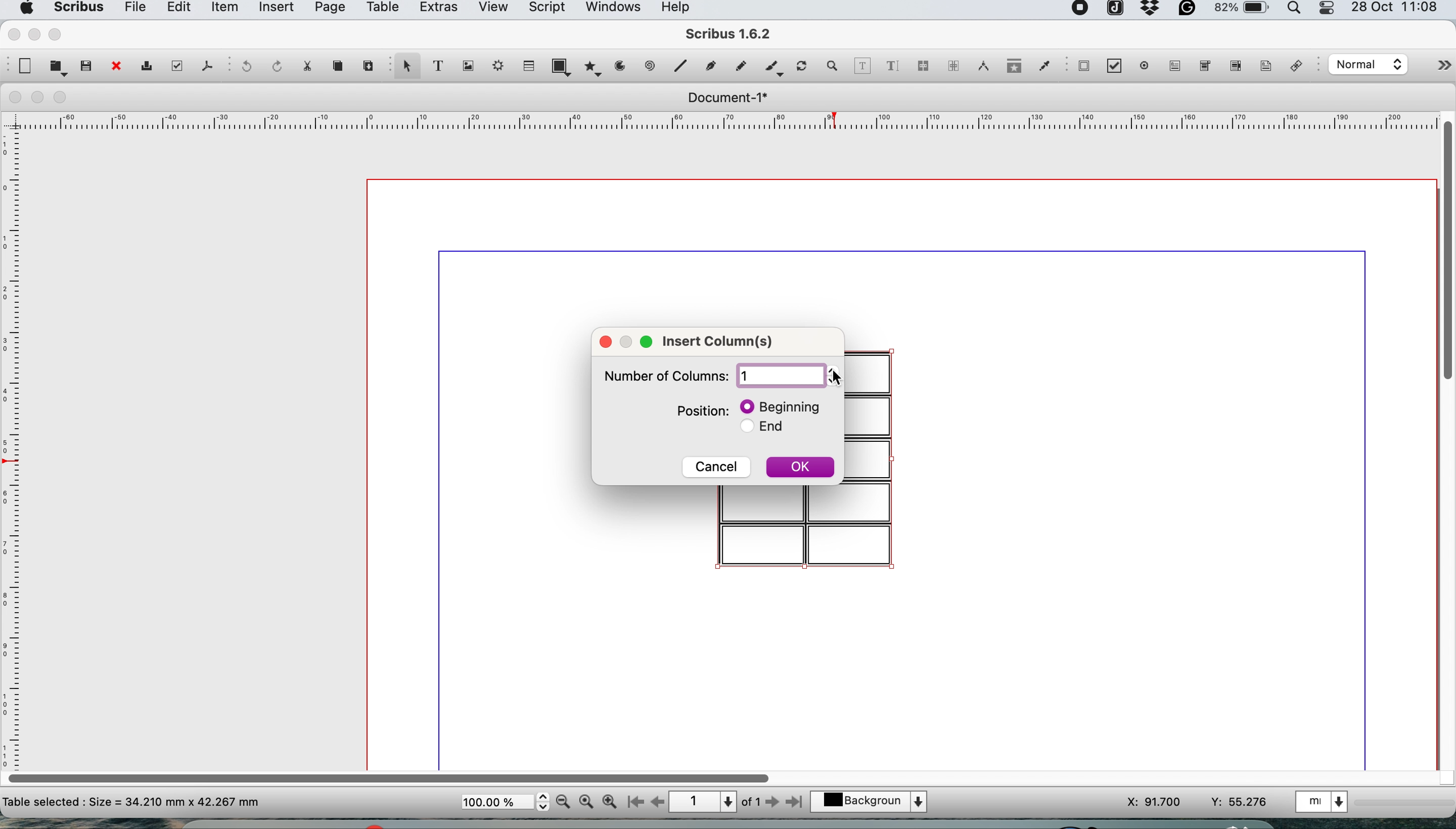 The width and height of the screenshot is (1456, 829). Describe the element at coordinates (58, 34) in the screenshot. I see `maximise` at that location.